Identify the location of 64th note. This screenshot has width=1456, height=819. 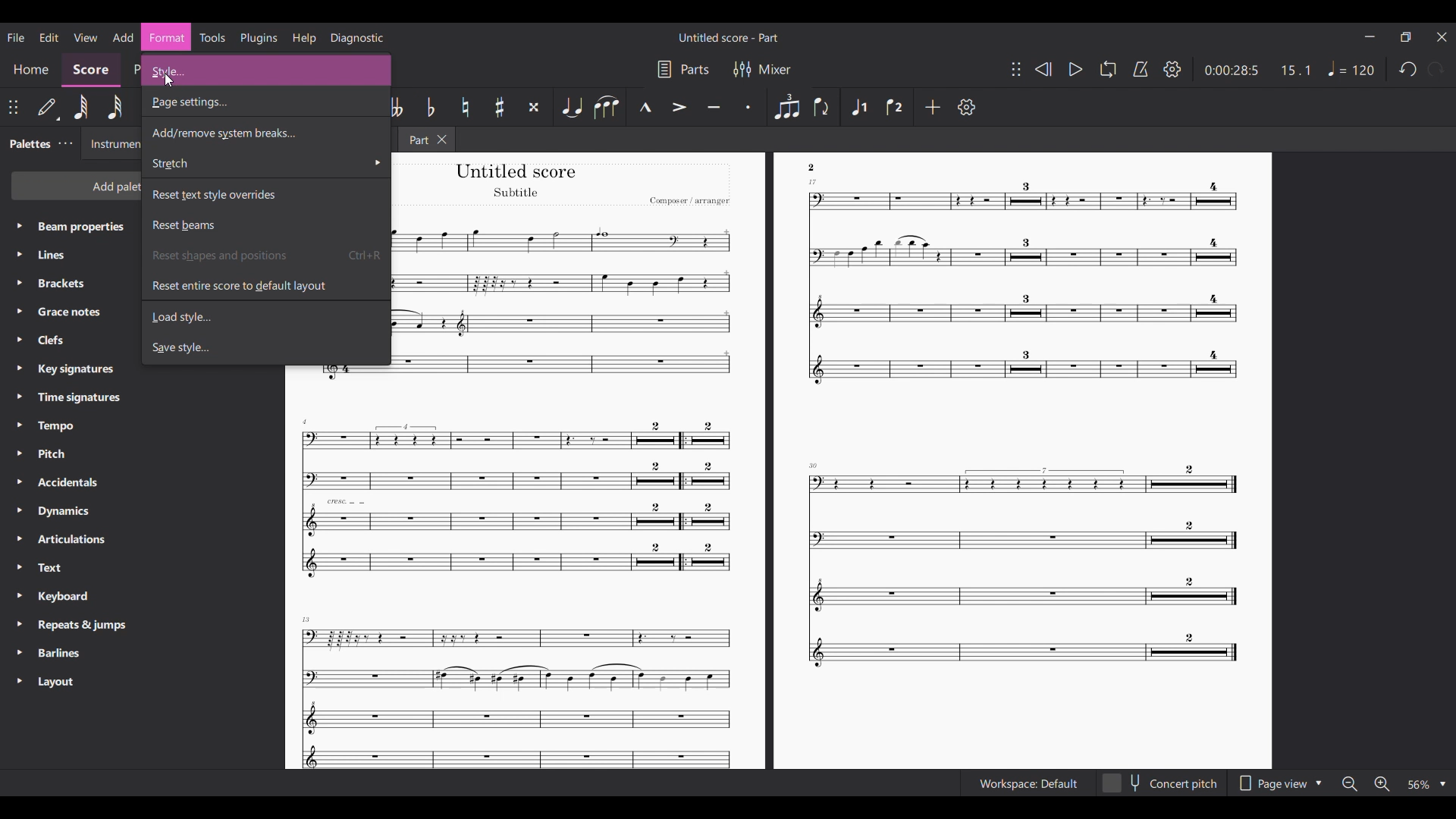
(81, 107).